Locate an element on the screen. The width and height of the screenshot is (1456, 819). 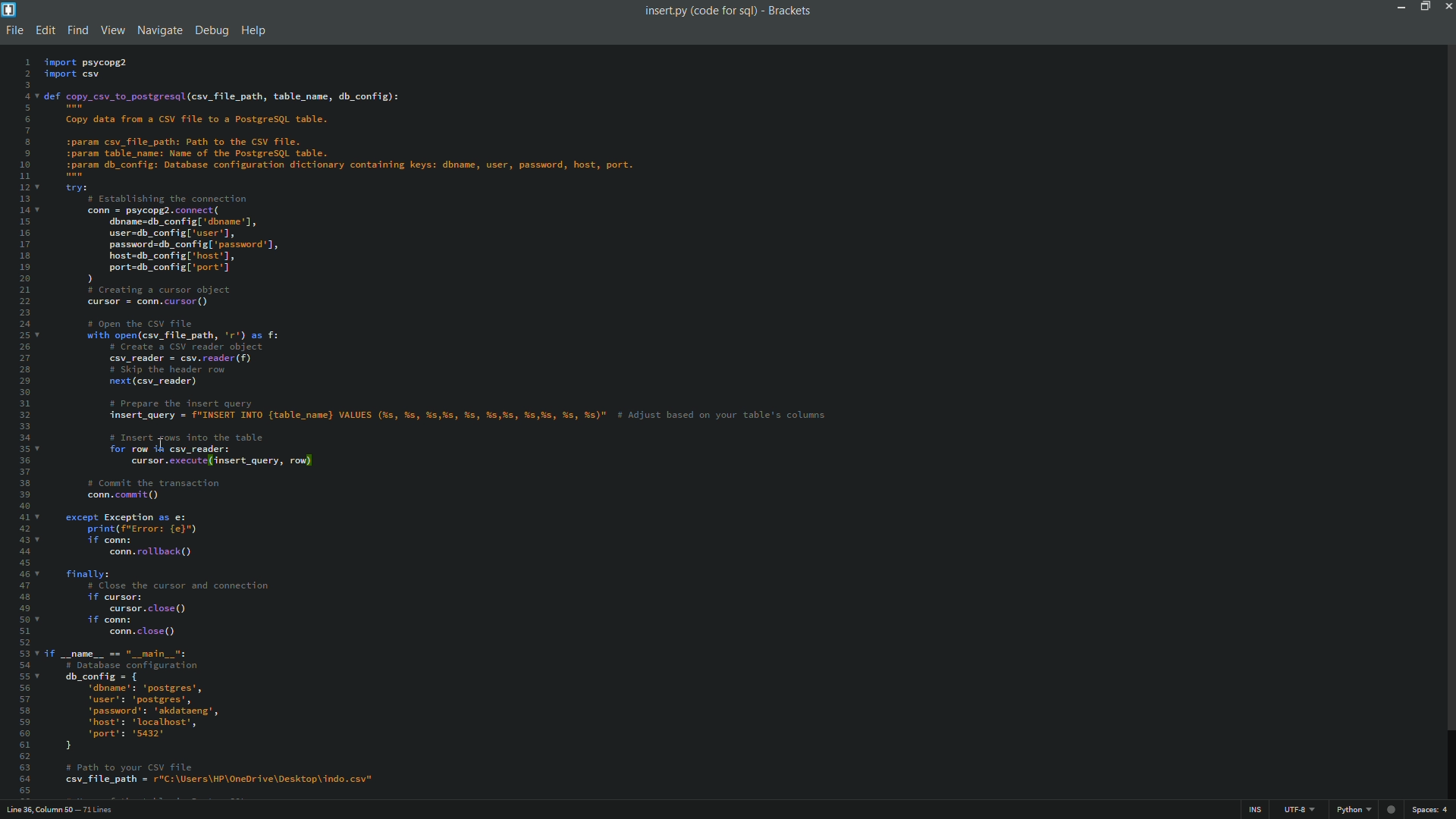
space is located at coordinates (1432, 811).